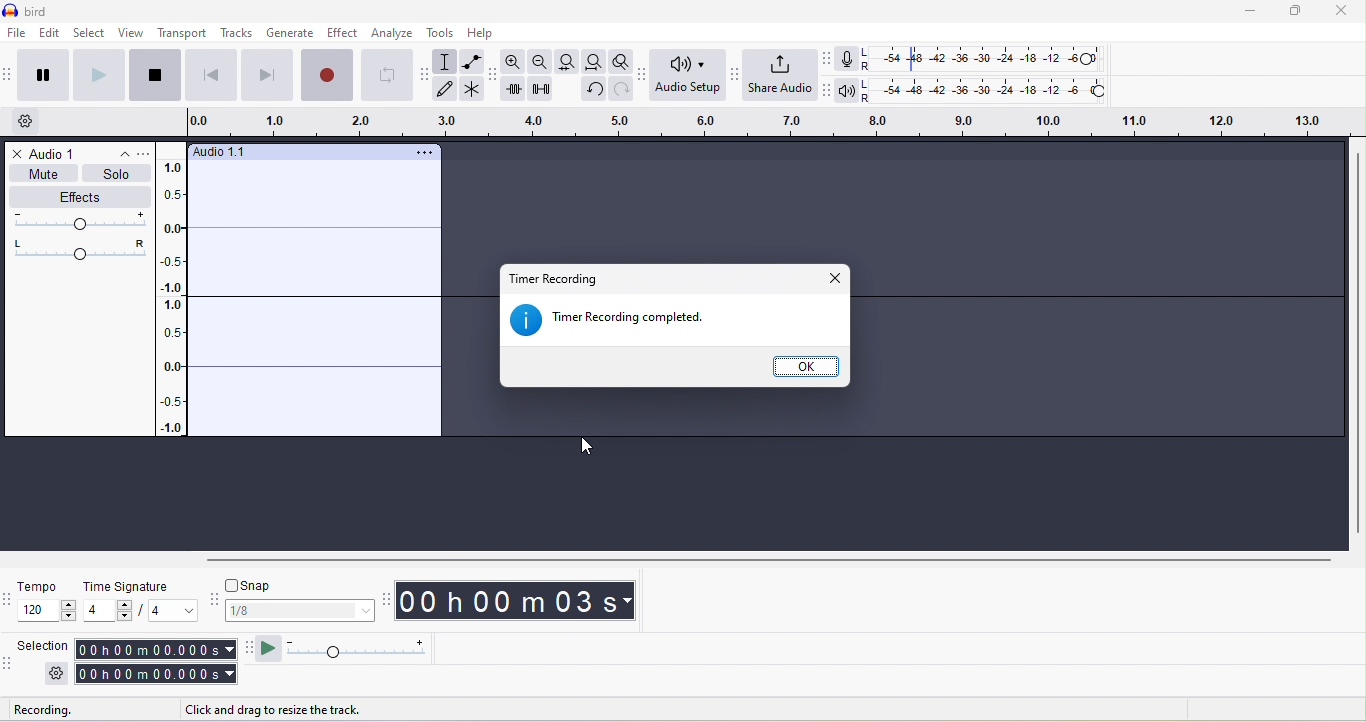  What do you see at coordinates (835, 277) in the screenshot?
I see `close` at bounding box center [835, 277].